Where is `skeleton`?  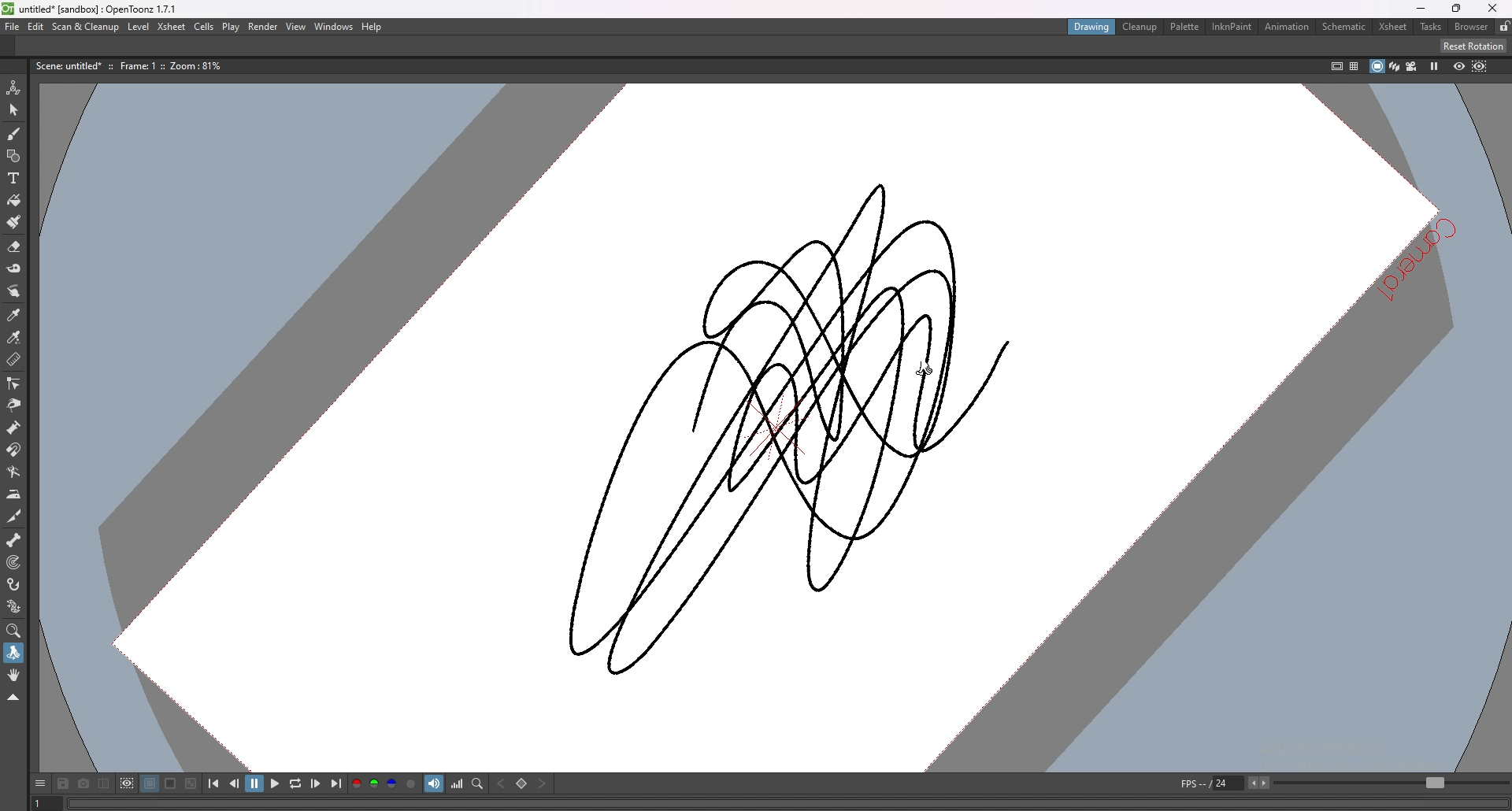 skeleton is located at coordinates (13, 539).